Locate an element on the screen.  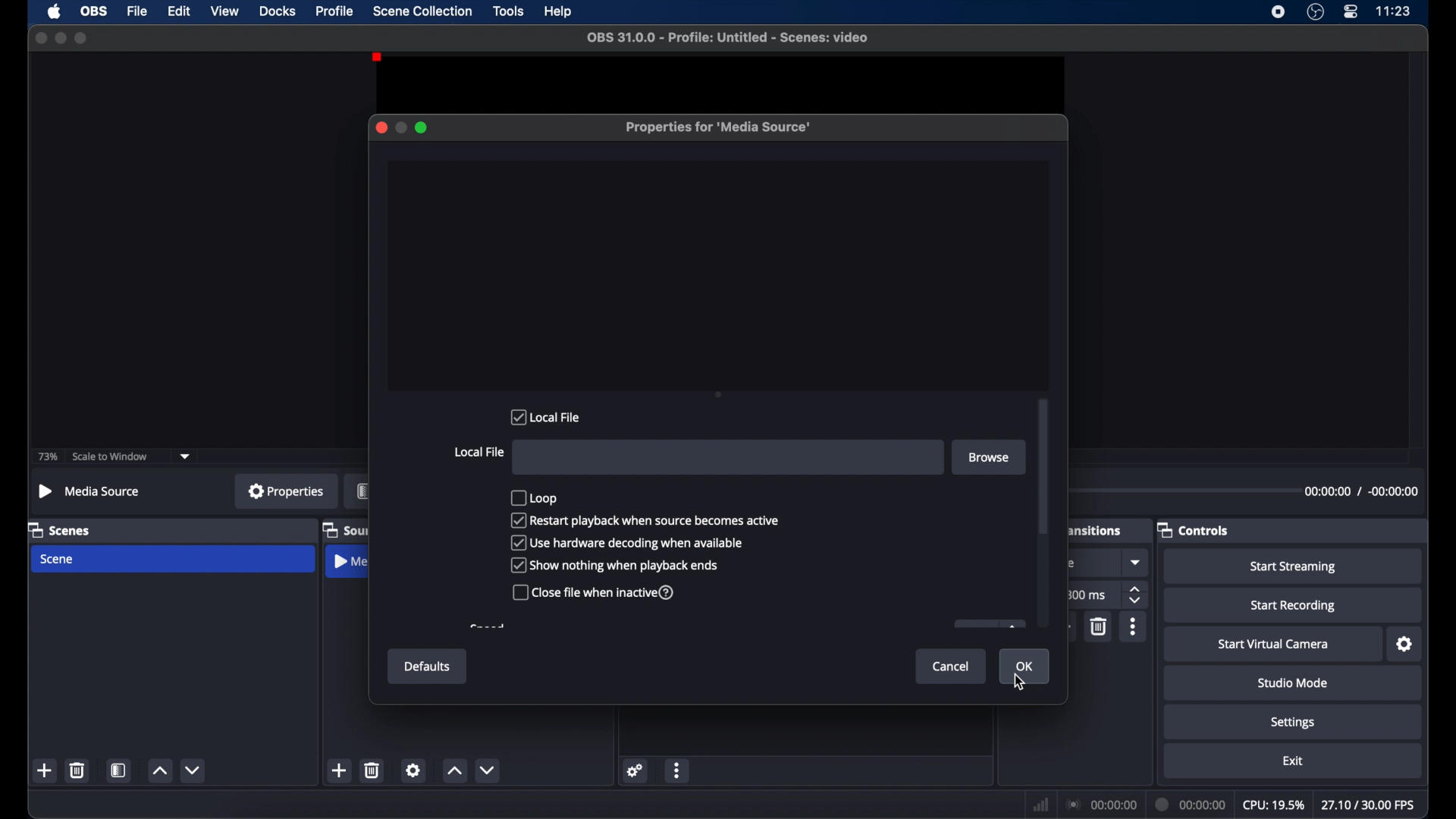
exit is located at coordinates (1294, 761).